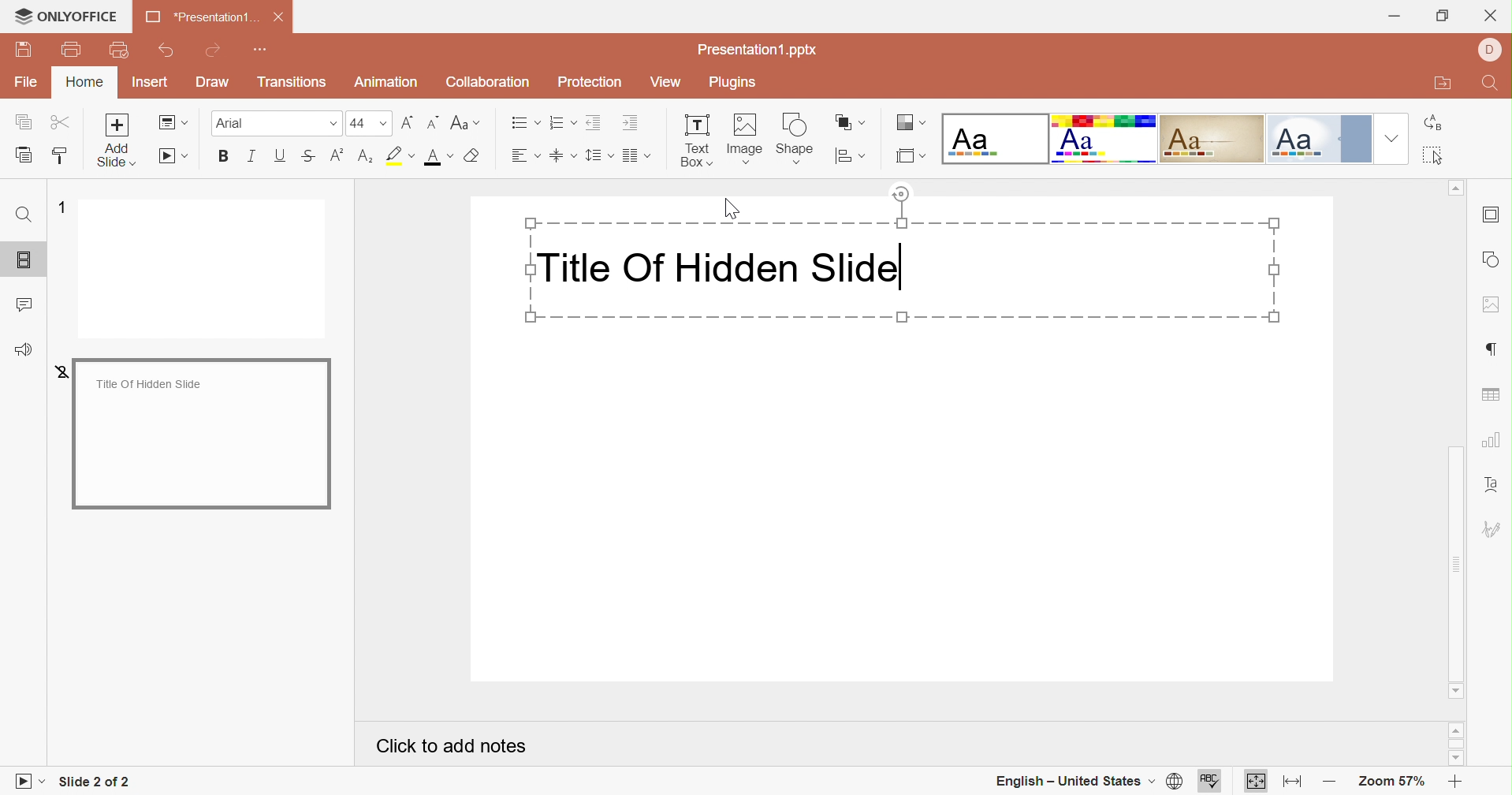  Describe the element at coordinates (1497, 486) in the screenshot. I see `Text art settings` at that location.